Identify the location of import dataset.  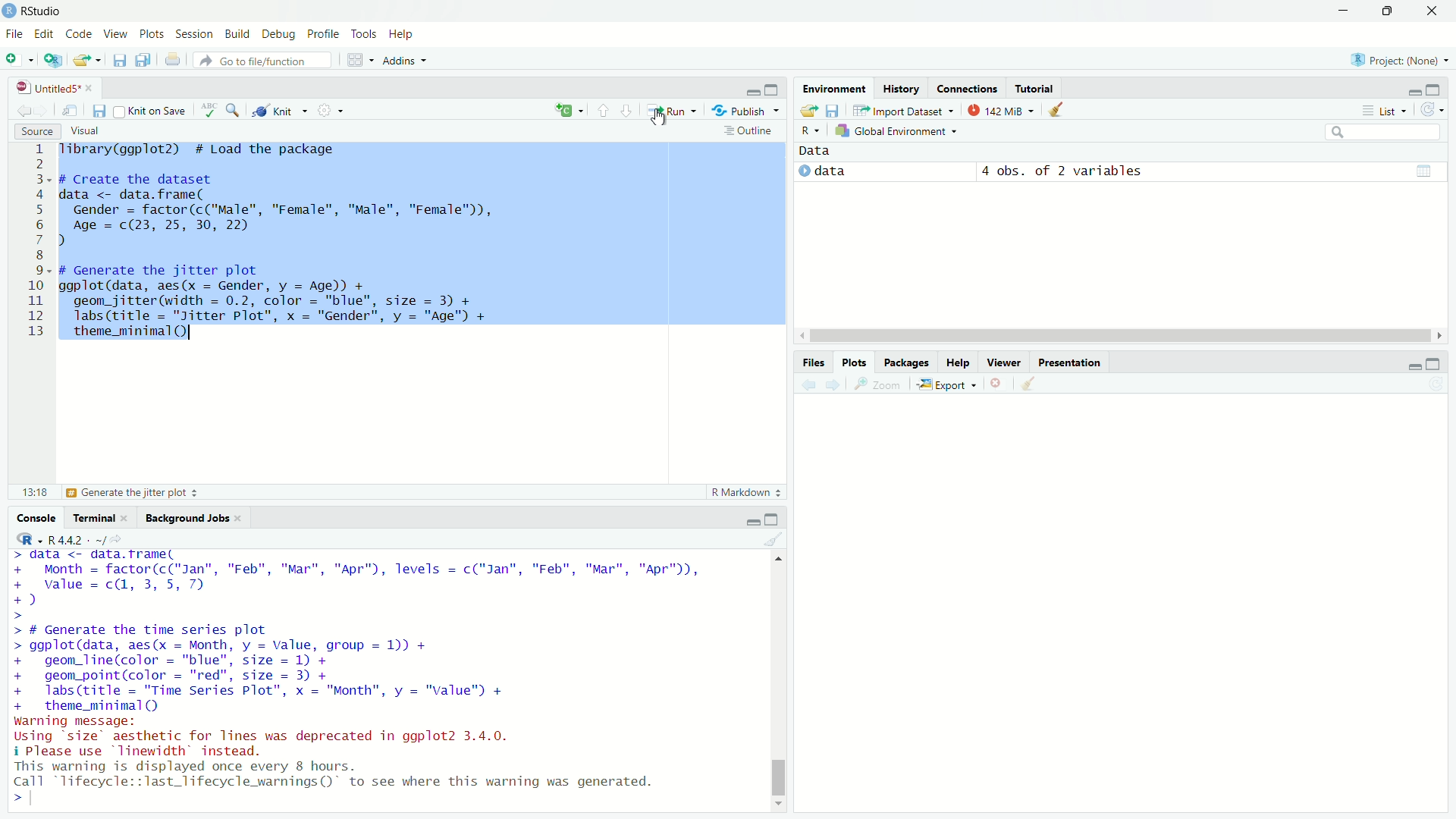
(903, 110).